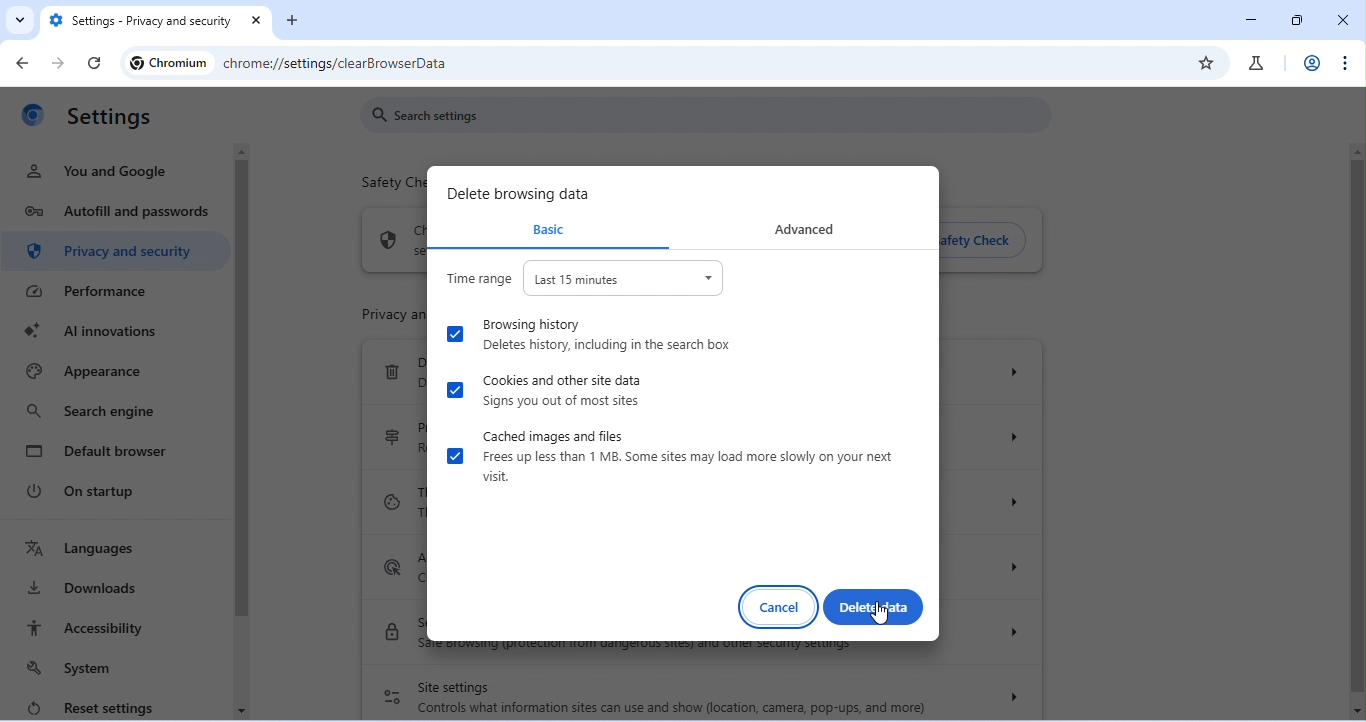  Describe the element at coordinates (391, 567) in the screenshot. I see `Ad privacy icon` at that location.